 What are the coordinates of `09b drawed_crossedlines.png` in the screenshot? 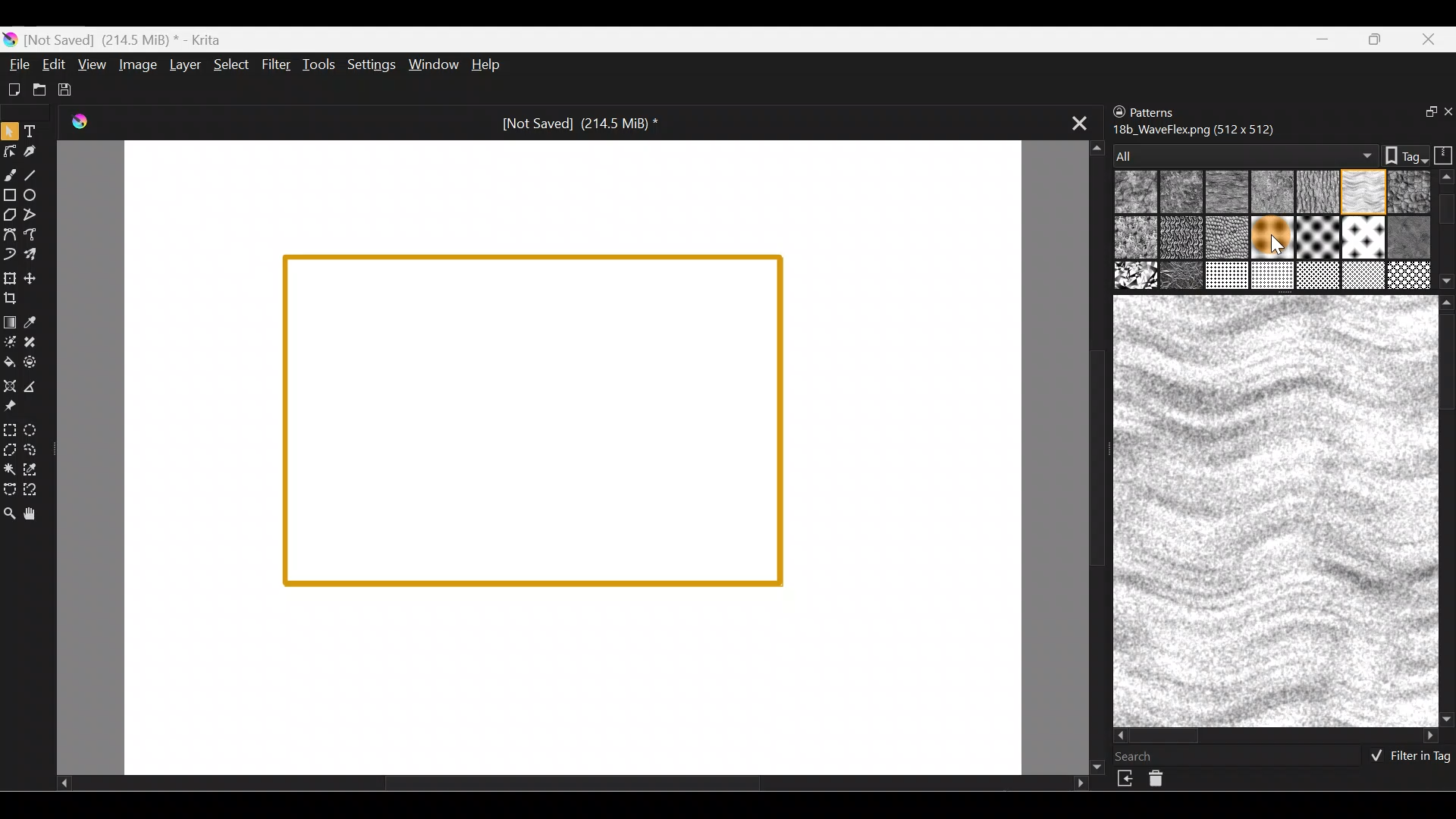 It's located at (1225, 237).